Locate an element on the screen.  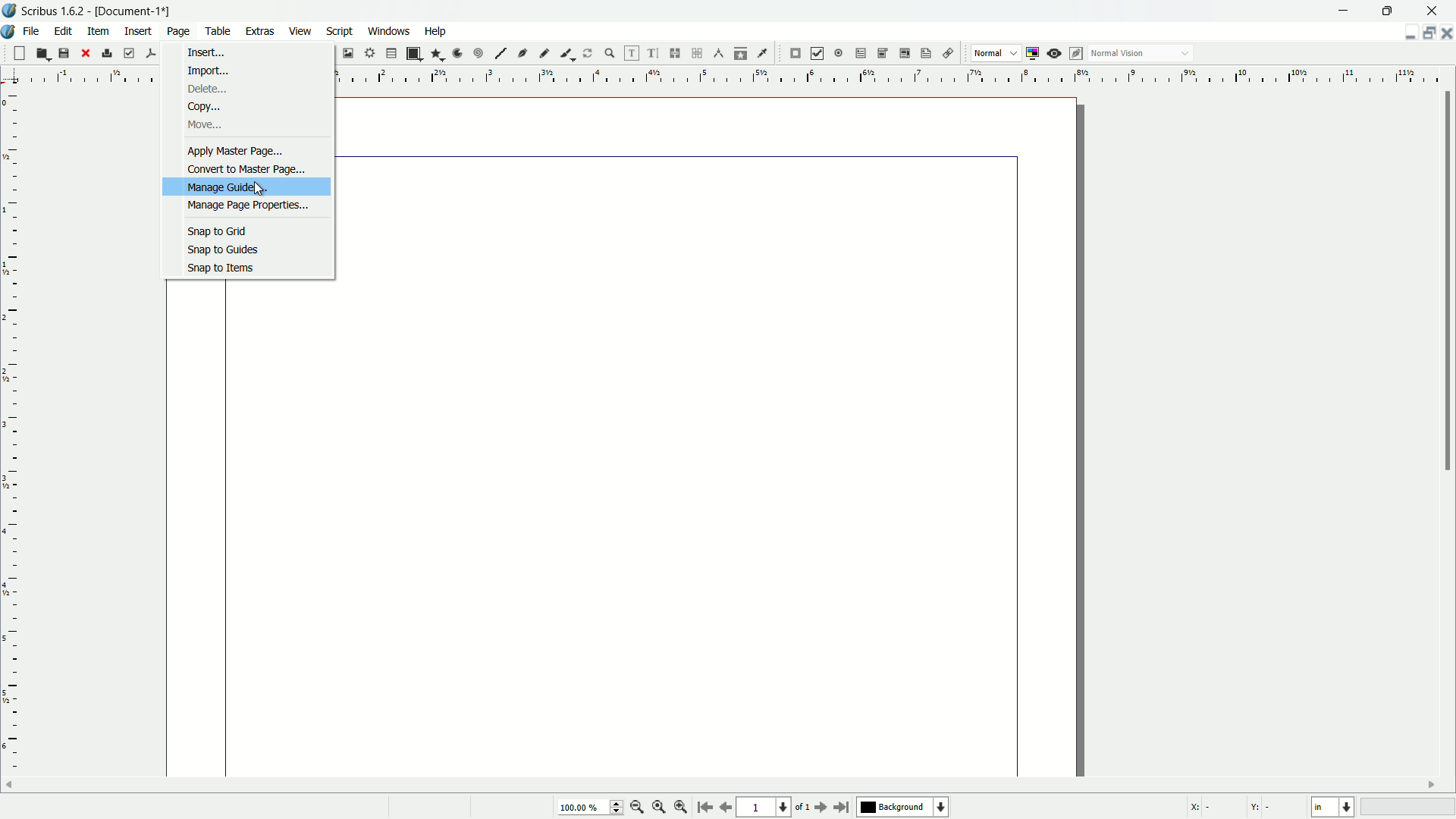
edit in preview mode is located at coordinates (1078, 53).